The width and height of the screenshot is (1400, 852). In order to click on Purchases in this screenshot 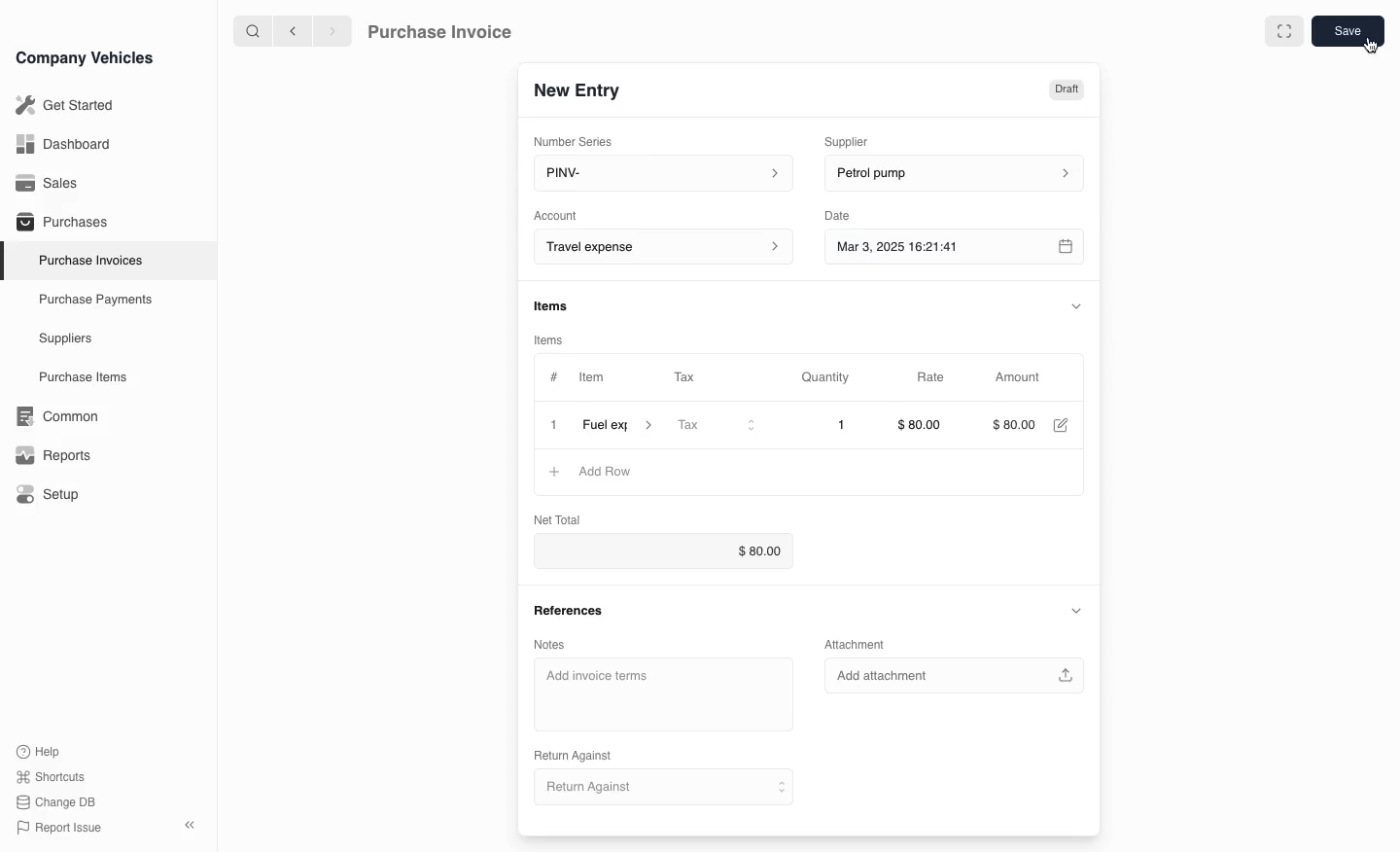, I will do `click(57, 224)`.